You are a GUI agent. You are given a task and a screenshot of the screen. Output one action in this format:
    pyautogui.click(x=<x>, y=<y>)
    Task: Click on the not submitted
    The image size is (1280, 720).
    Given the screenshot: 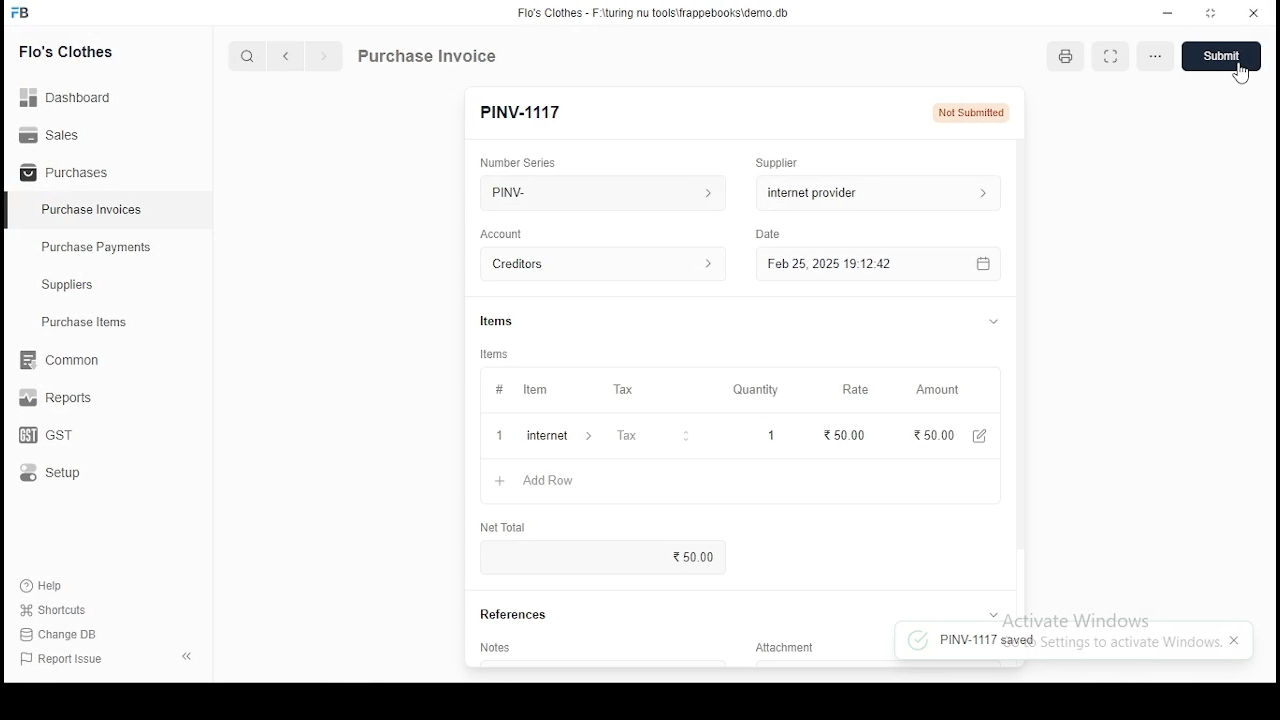 What is the action you would take?
    pyautogui.click(x=971, y=113)
    